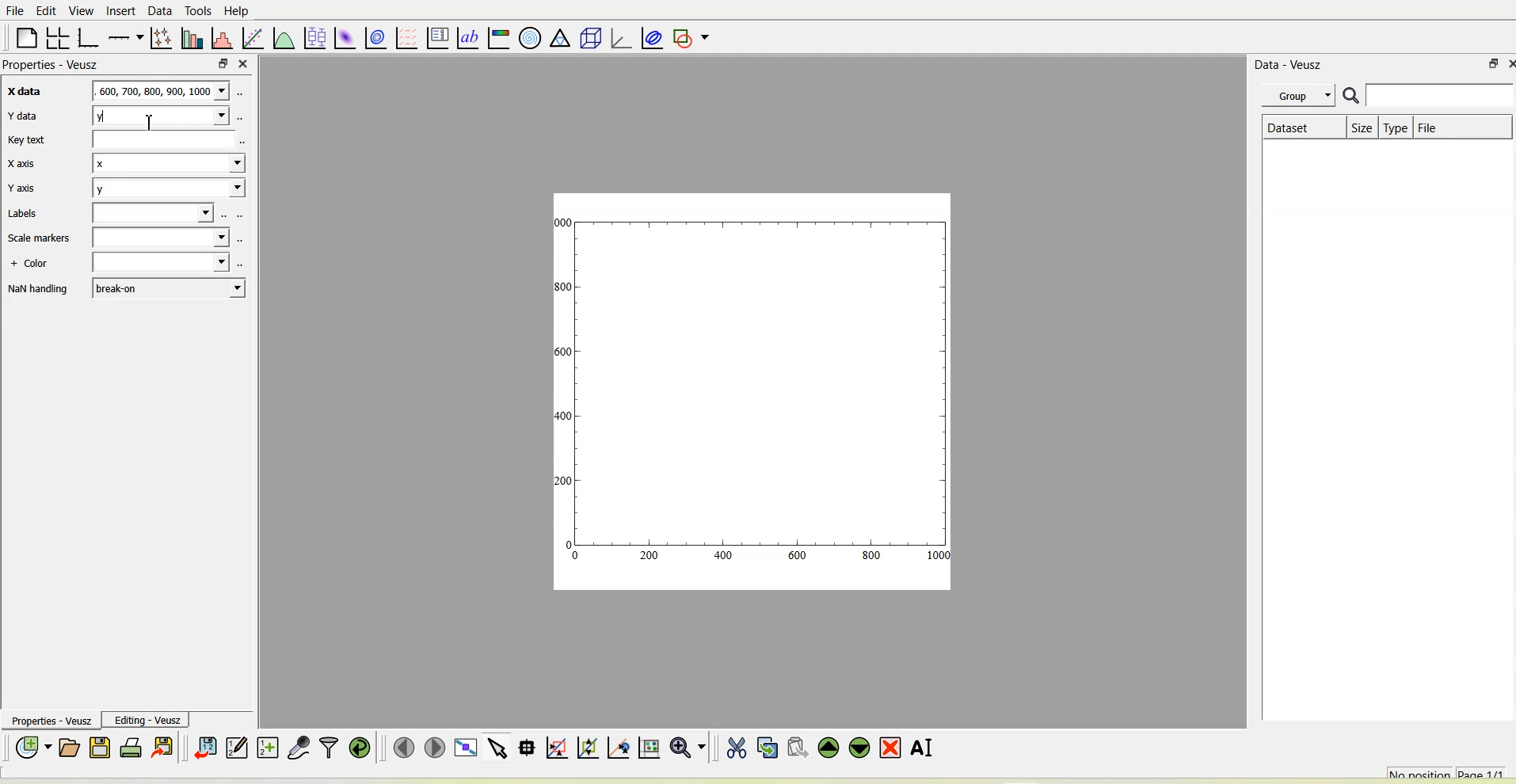 This screenshot has height=784, width=1516. I want to click on Blank, so click(162, 140).